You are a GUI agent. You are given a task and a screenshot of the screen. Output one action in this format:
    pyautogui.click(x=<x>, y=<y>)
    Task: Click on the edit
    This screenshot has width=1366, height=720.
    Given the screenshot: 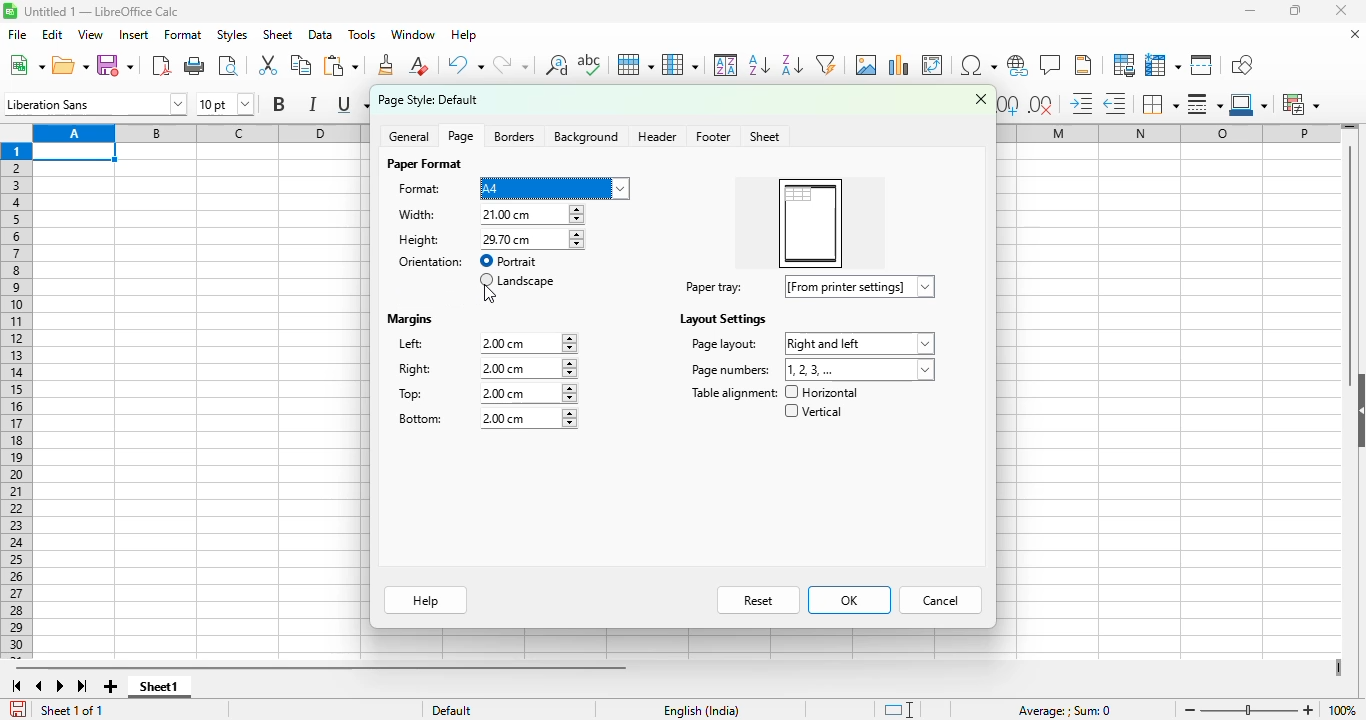 What is the action you would take?
    pyautogui.click(x=52, y=35)
    